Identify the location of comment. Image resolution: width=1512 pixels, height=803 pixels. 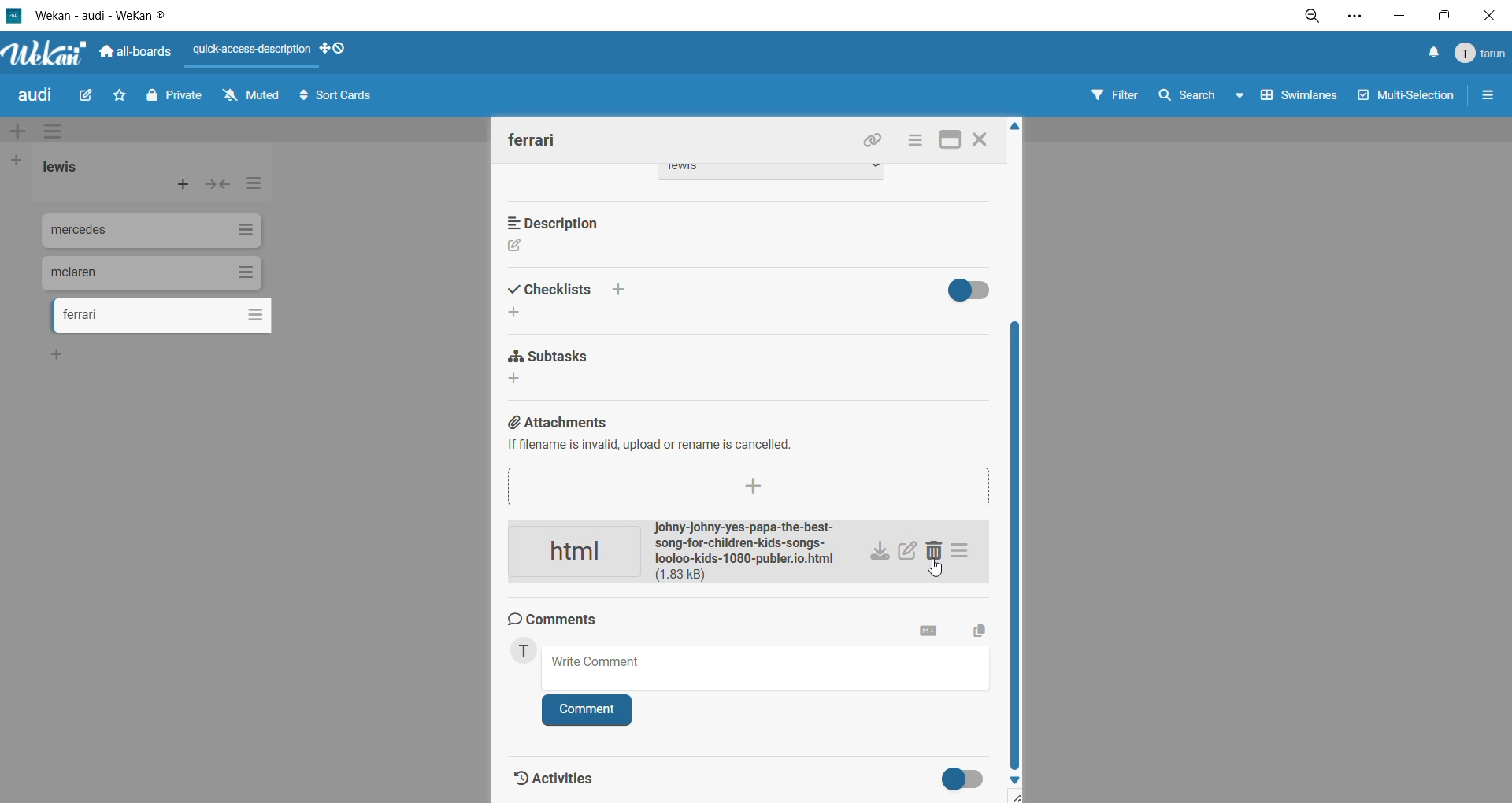
(588, 709).